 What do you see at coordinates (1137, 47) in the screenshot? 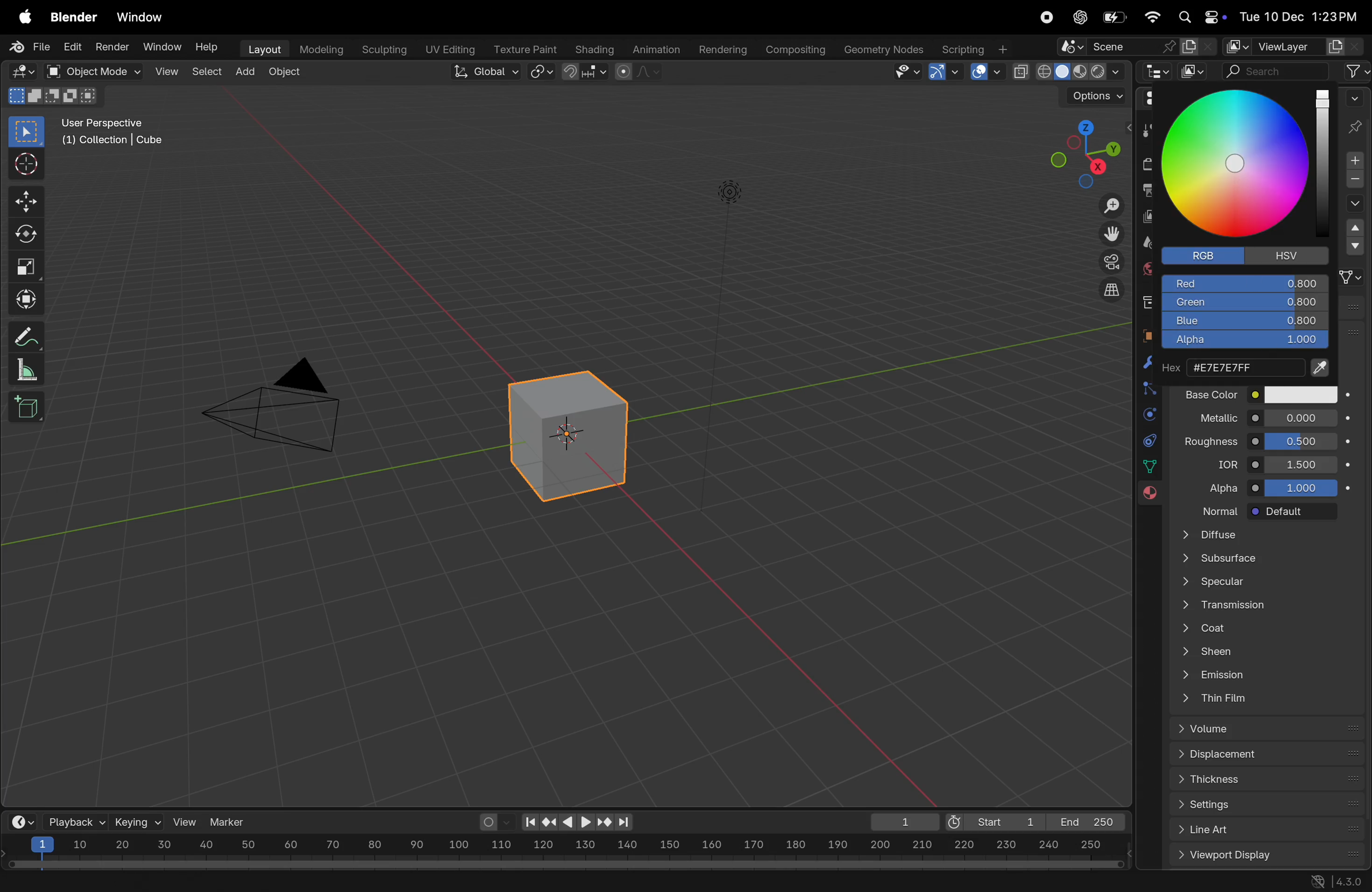
I see `scene` at bounding box center [1137, 47].